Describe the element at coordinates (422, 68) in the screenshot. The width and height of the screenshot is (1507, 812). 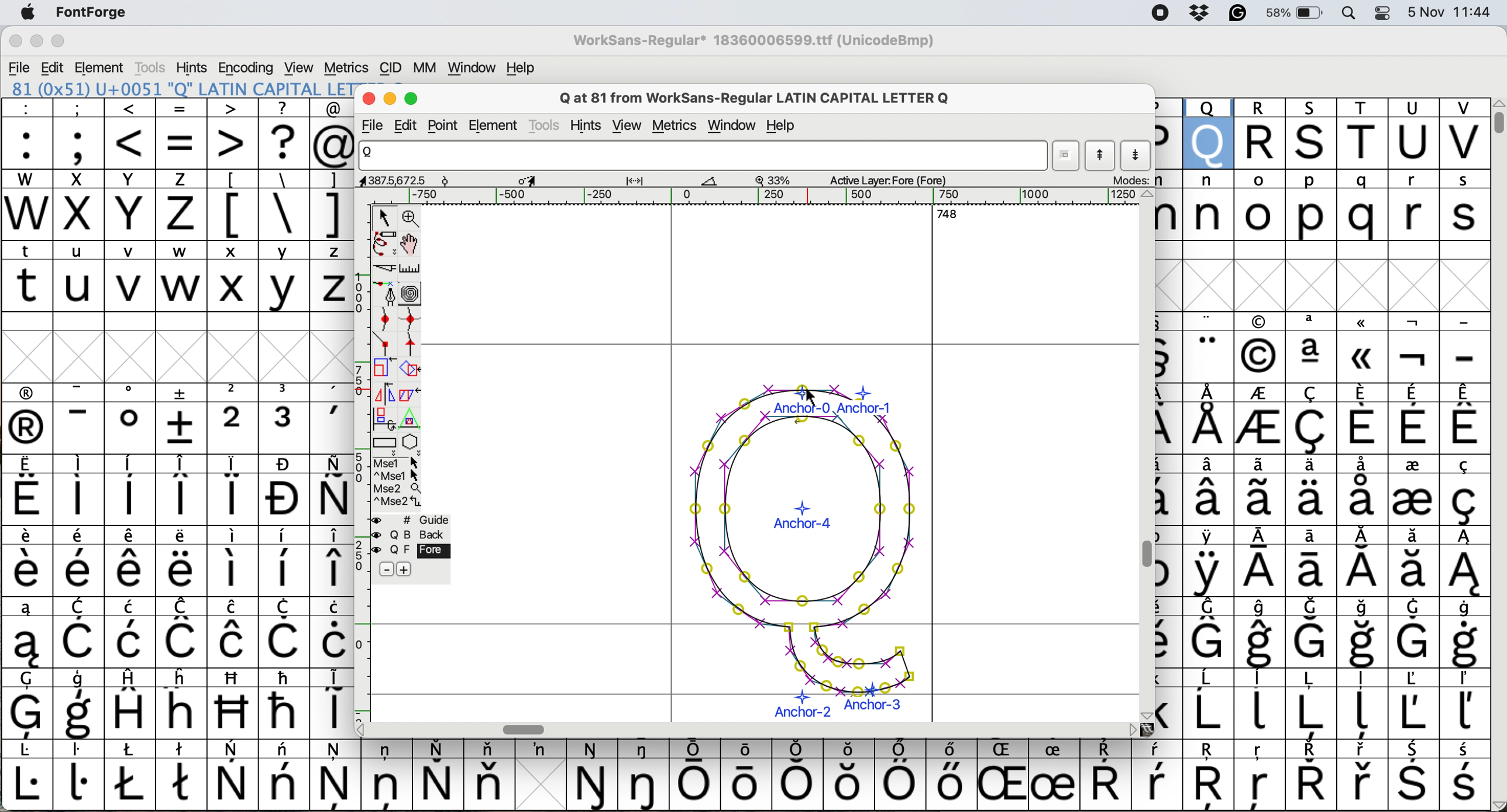
I see `mm` at that location.